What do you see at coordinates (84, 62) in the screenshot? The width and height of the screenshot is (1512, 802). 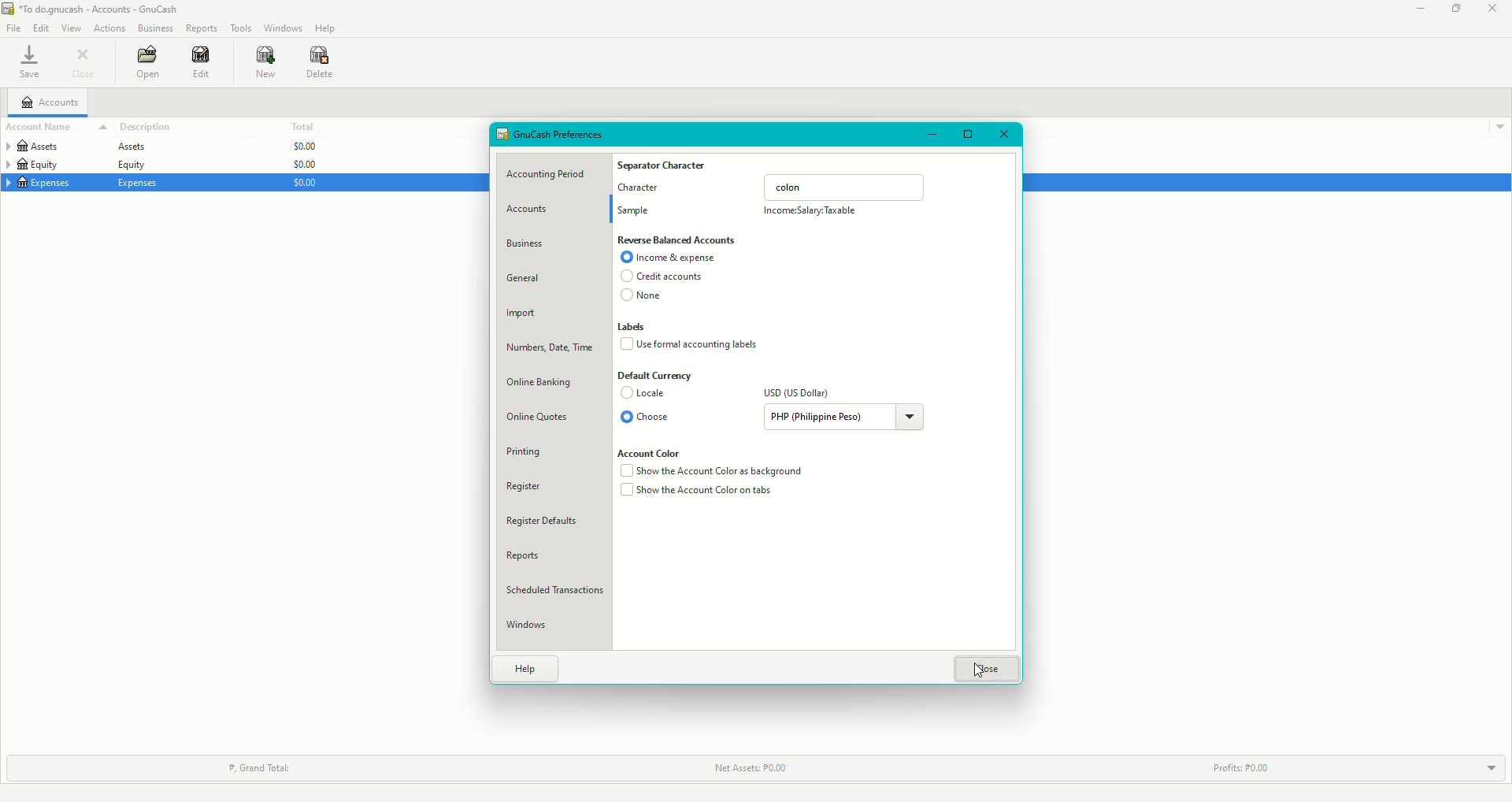 I see `Close` at bounding box center [84, 62].